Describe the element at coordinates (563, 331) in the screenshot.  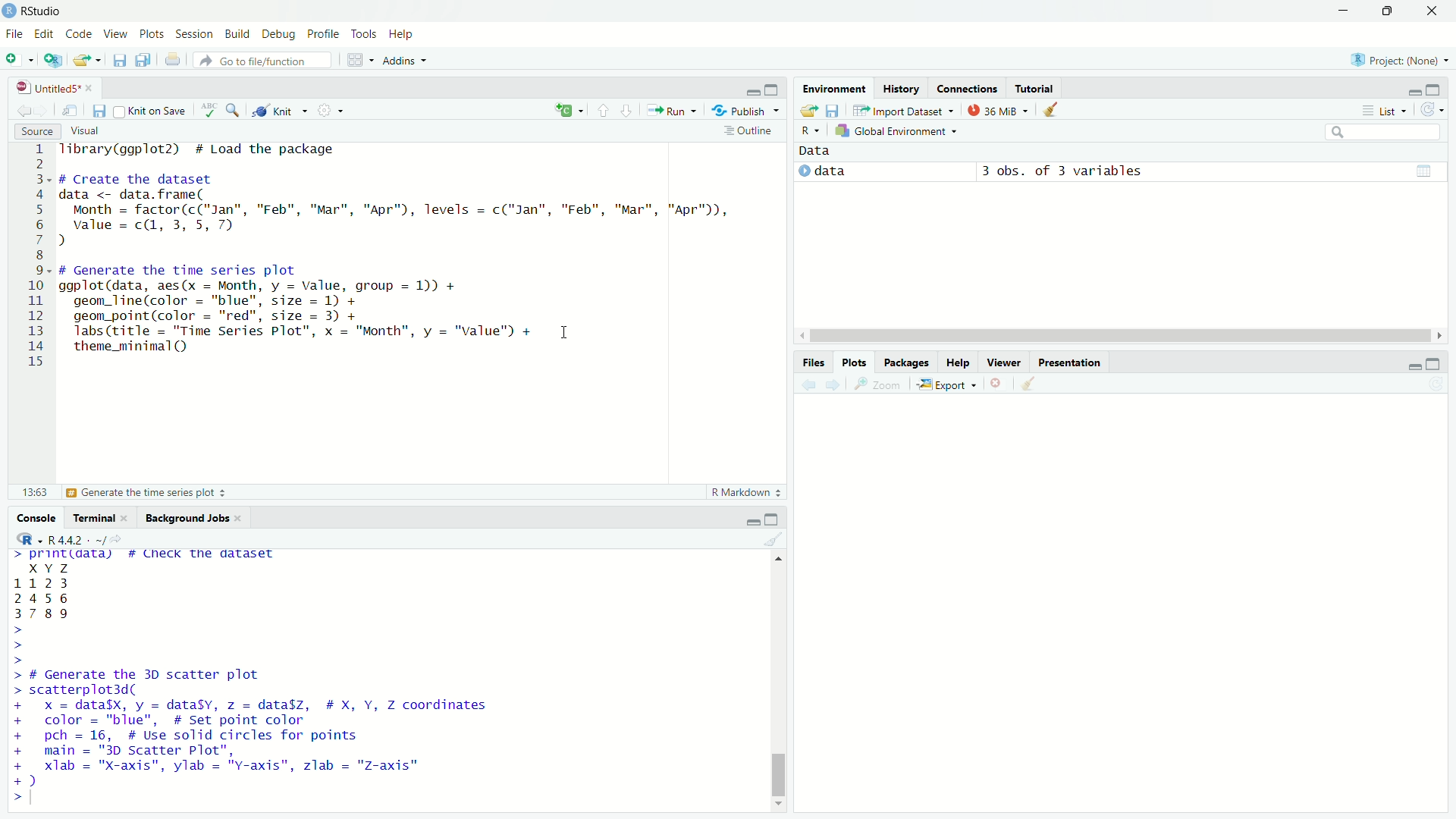
I see `cursor` at that location.